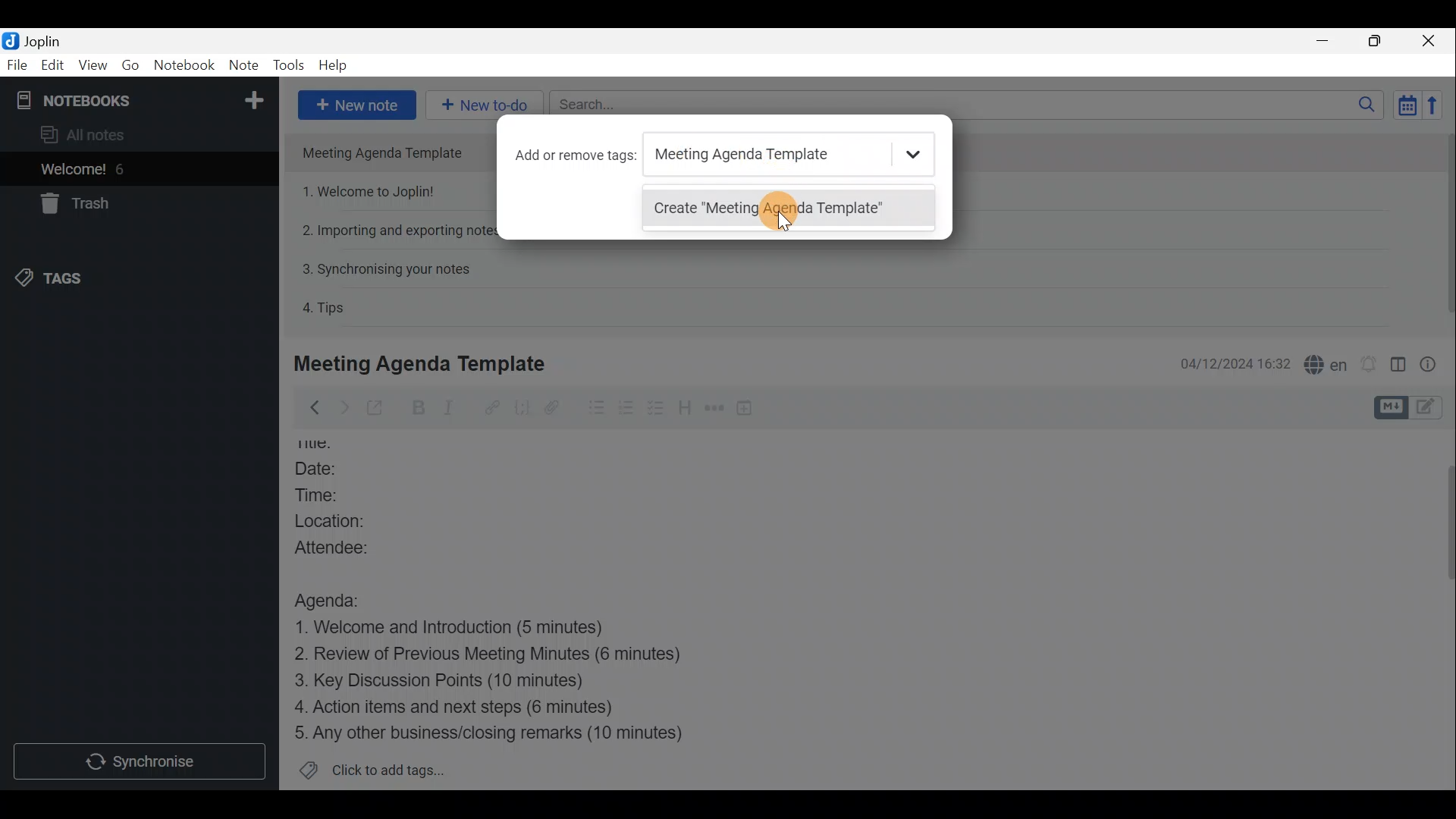 This screenshot has width=1456, height=819. Describe the element at coordinates (962, 104) in the screenshot. I see `Search bar` at that location.